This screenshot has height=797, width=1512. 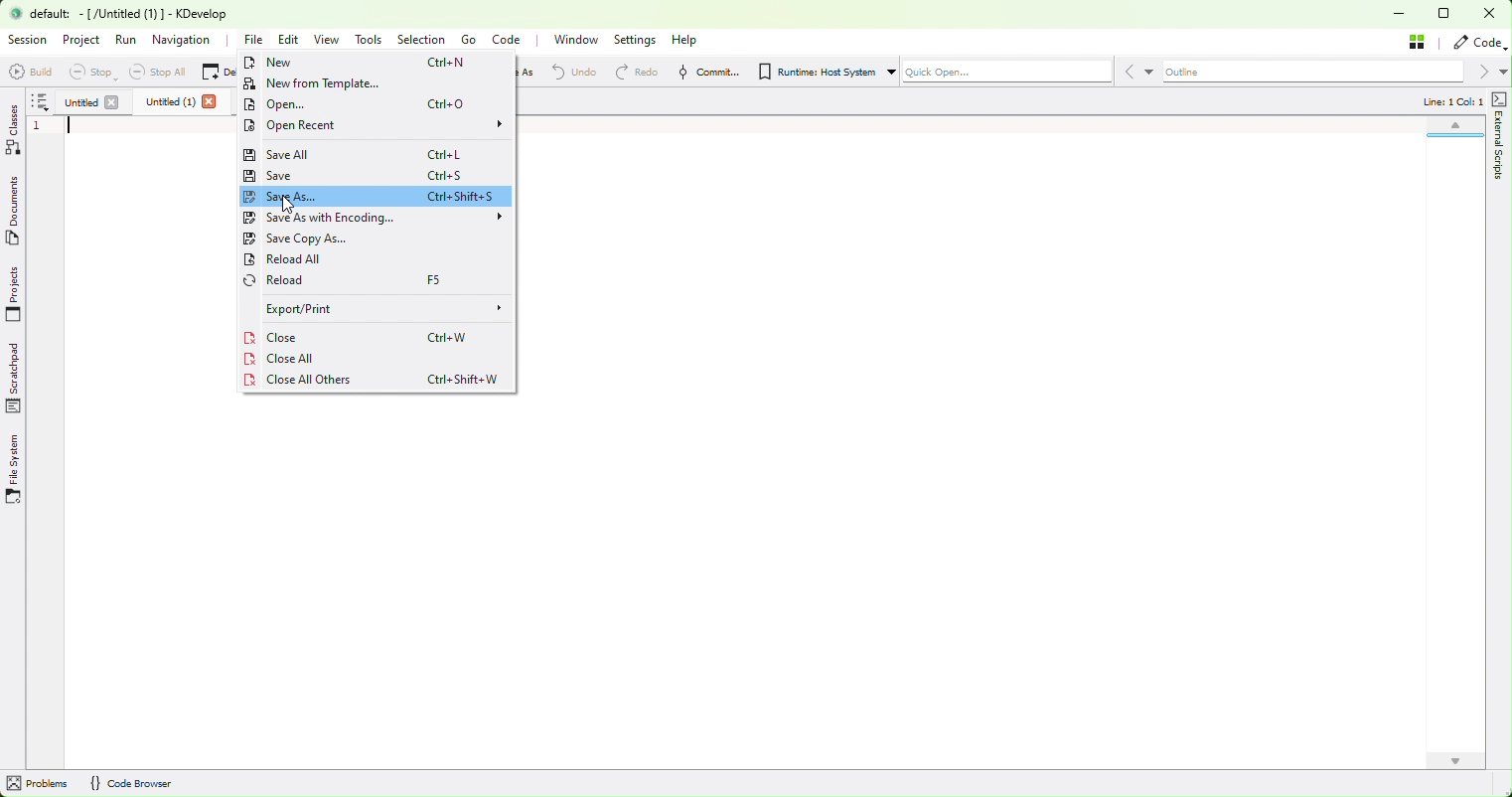 What do you see at coordinates (302, 259) in the screenshot?
I see `Reload all` at bounding box center [302, 259].